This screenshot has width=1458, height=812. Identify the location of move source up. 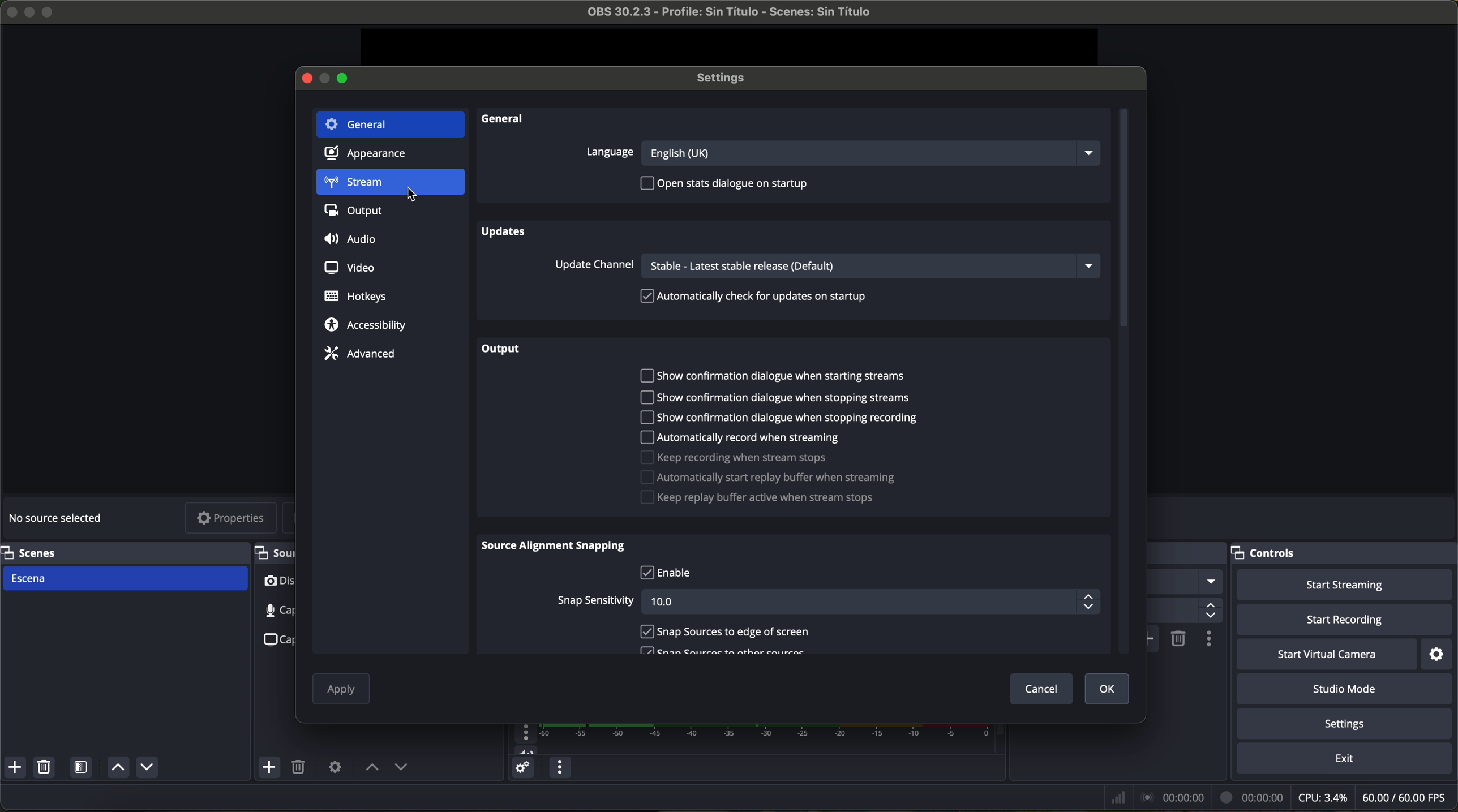
(372, 768).